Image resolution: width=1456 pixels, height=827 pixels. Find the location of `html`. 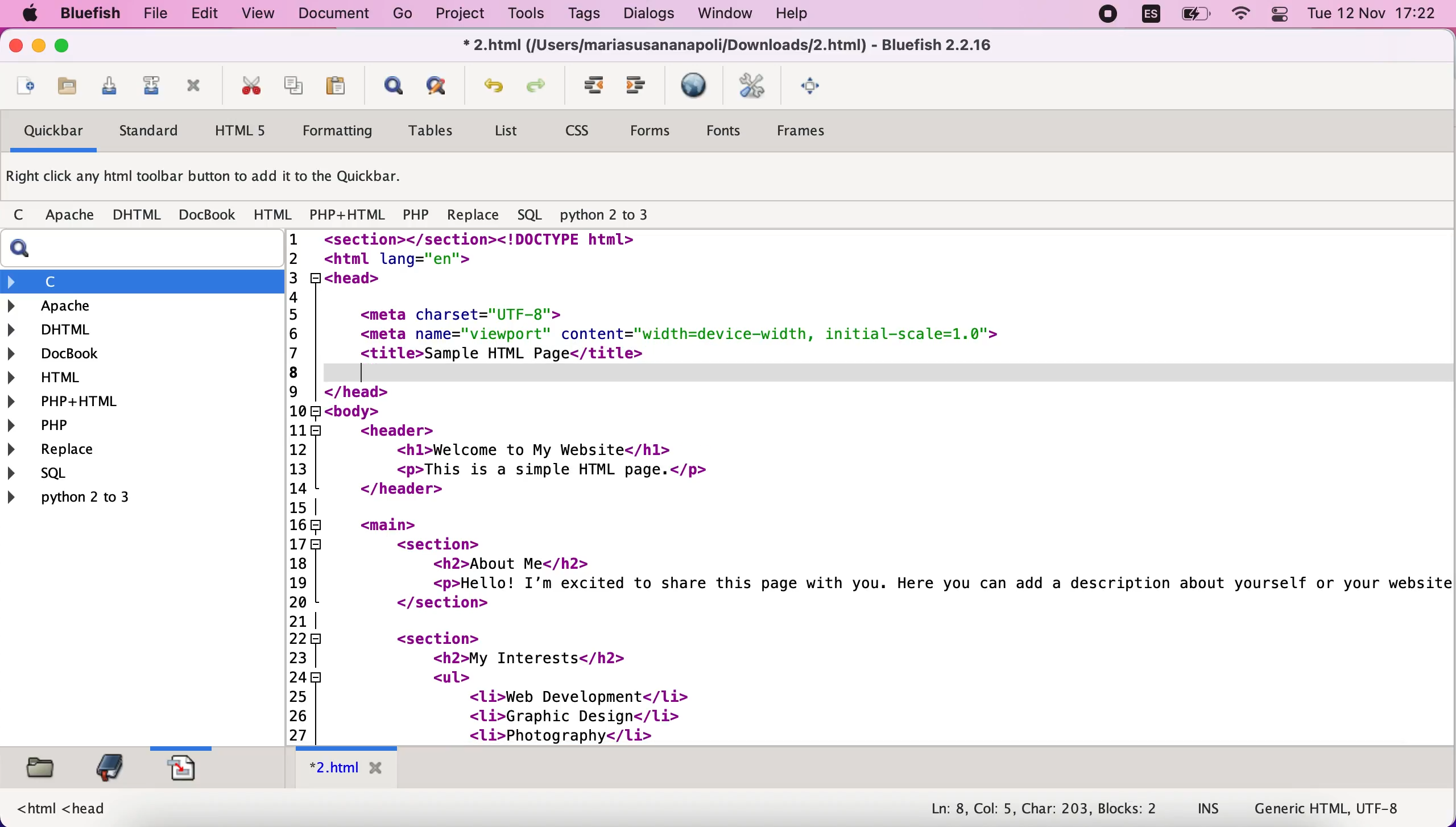

html is located at coordinates (136, 377).